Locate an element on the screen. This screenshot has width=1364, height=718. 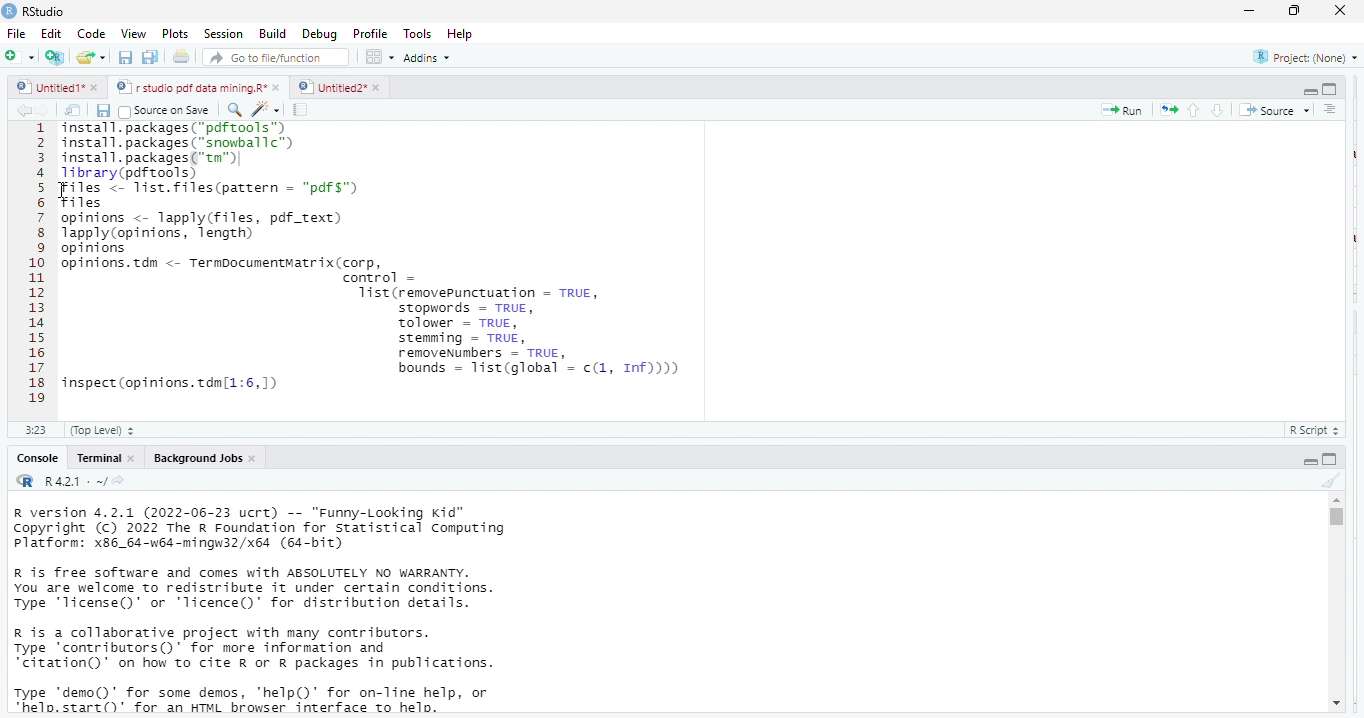
rs studio is located at coordinates (26, 482).